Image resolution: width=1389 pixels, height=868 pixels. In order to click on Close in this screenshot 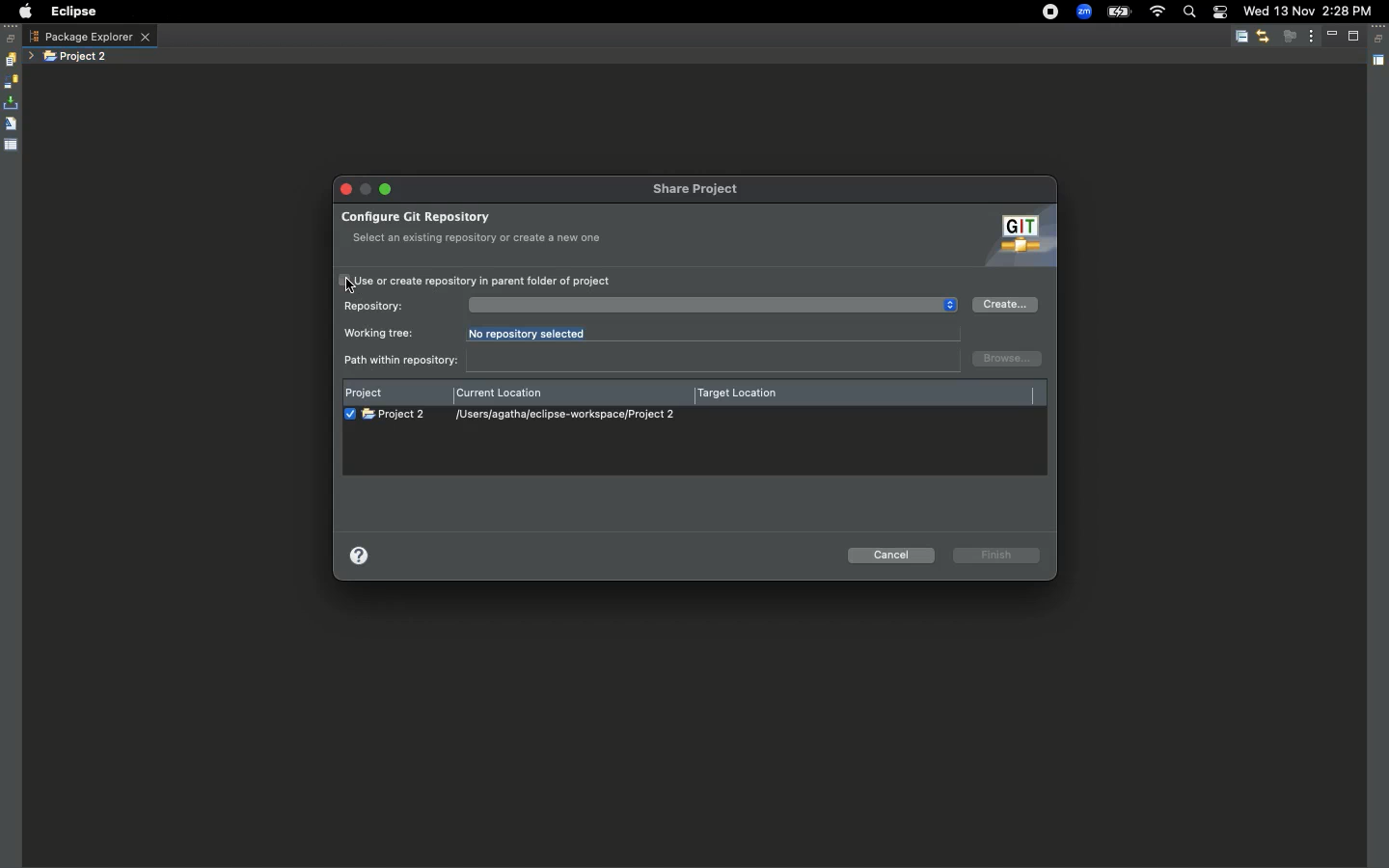, I will do `click(348, 189)`.